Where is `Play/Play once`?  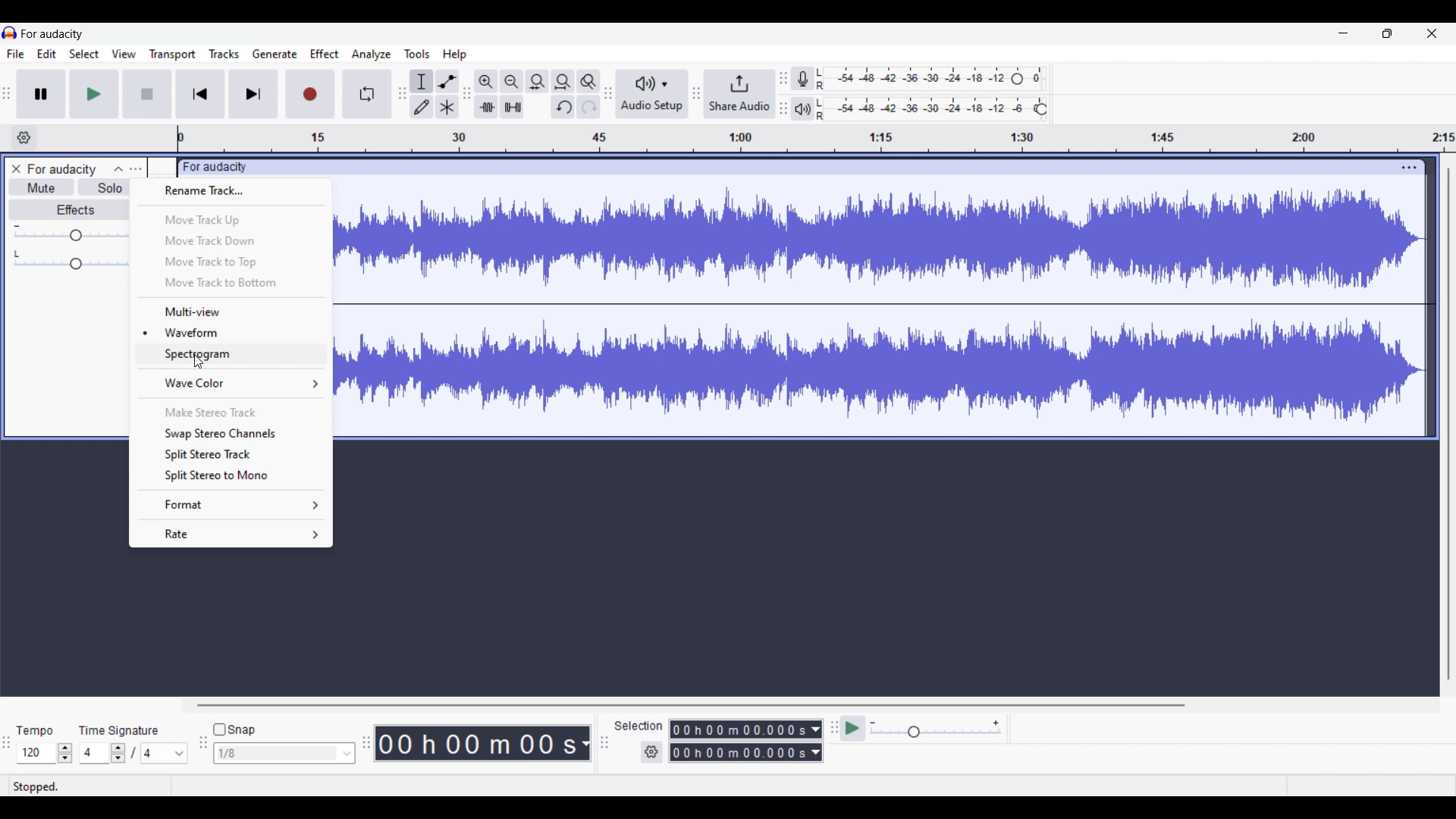 Play/Play once is located at coordinates (94, 94).